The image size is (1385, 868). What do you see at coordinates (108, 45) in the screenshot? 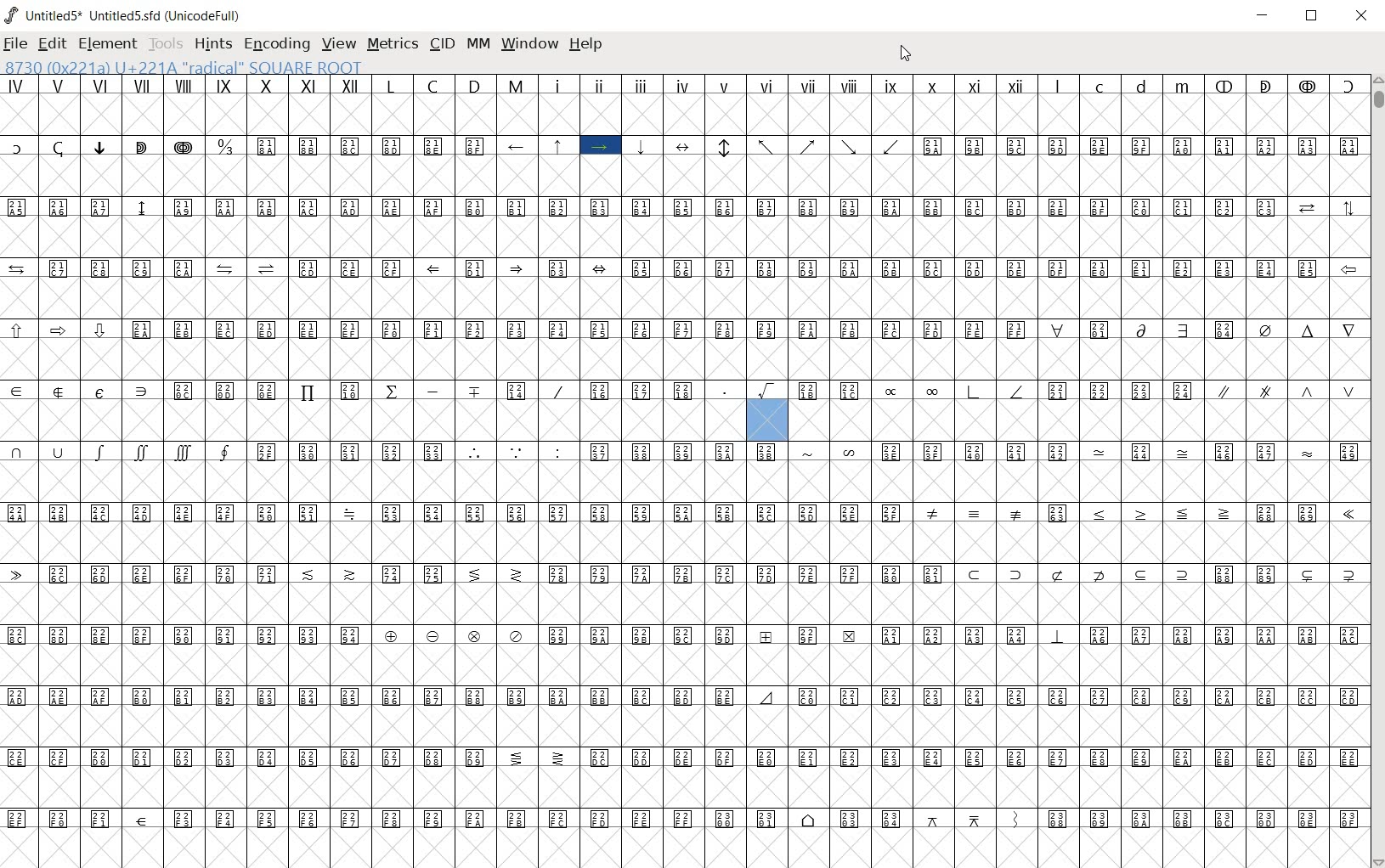
I see `ELEMENT` at bounding box center [108, 45].